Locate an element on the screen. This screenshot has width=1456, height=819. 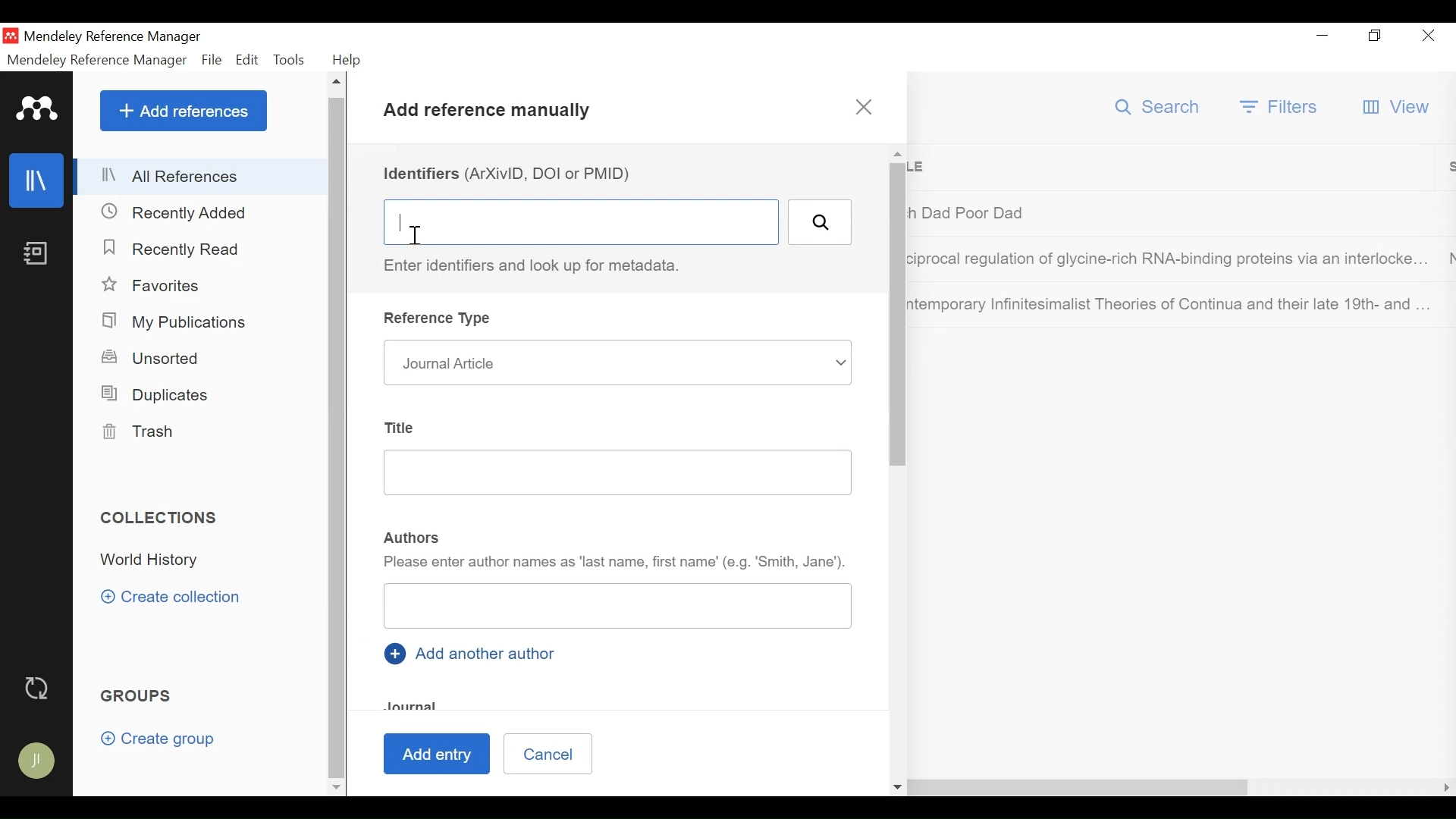
My Publications is located at coordinates (177, 321).